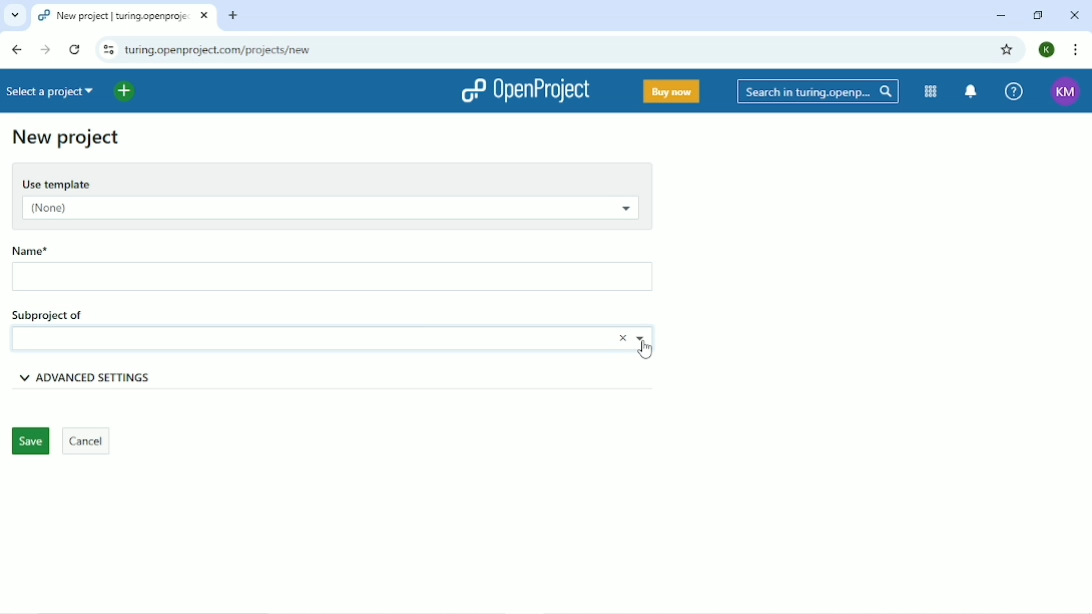 This screenshot has width=1092, height=614. Describe the element at coordinates (1007, 49) in the screenshot. I see `Bookmark this tab` at that location.